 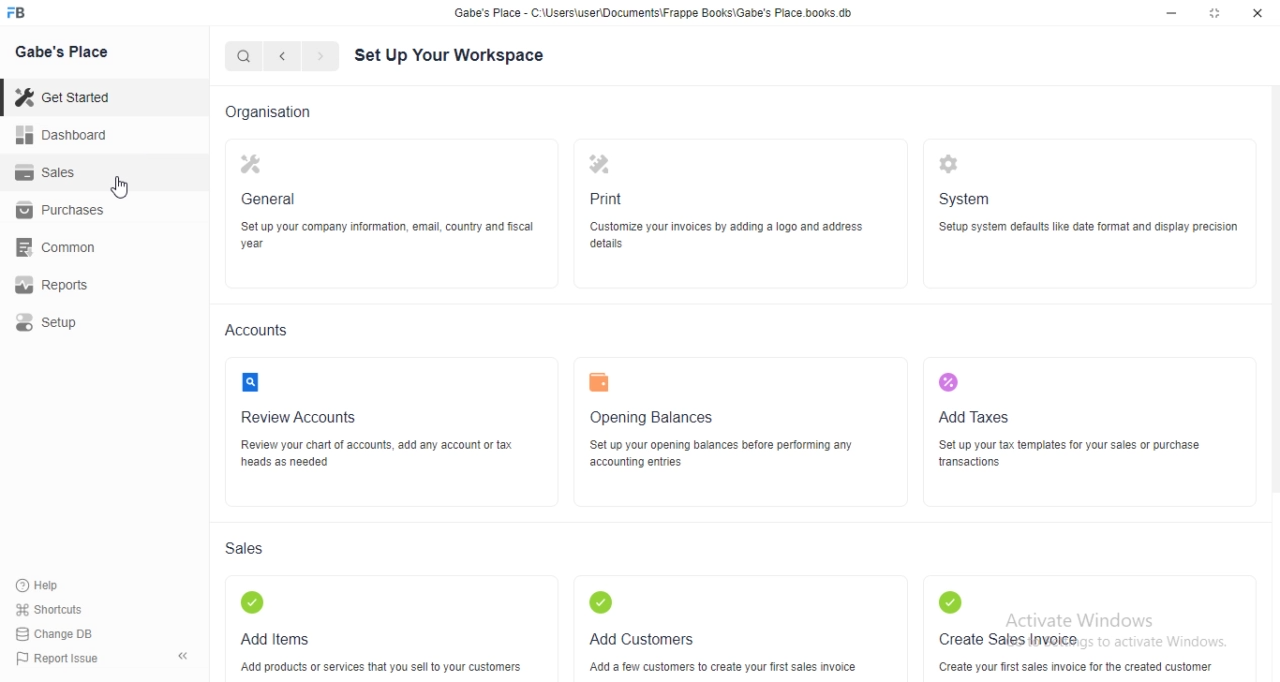 What do you see at coordinates (1257, 14) in the screenshot?
I see `close` at bounding box center [1257, 14].